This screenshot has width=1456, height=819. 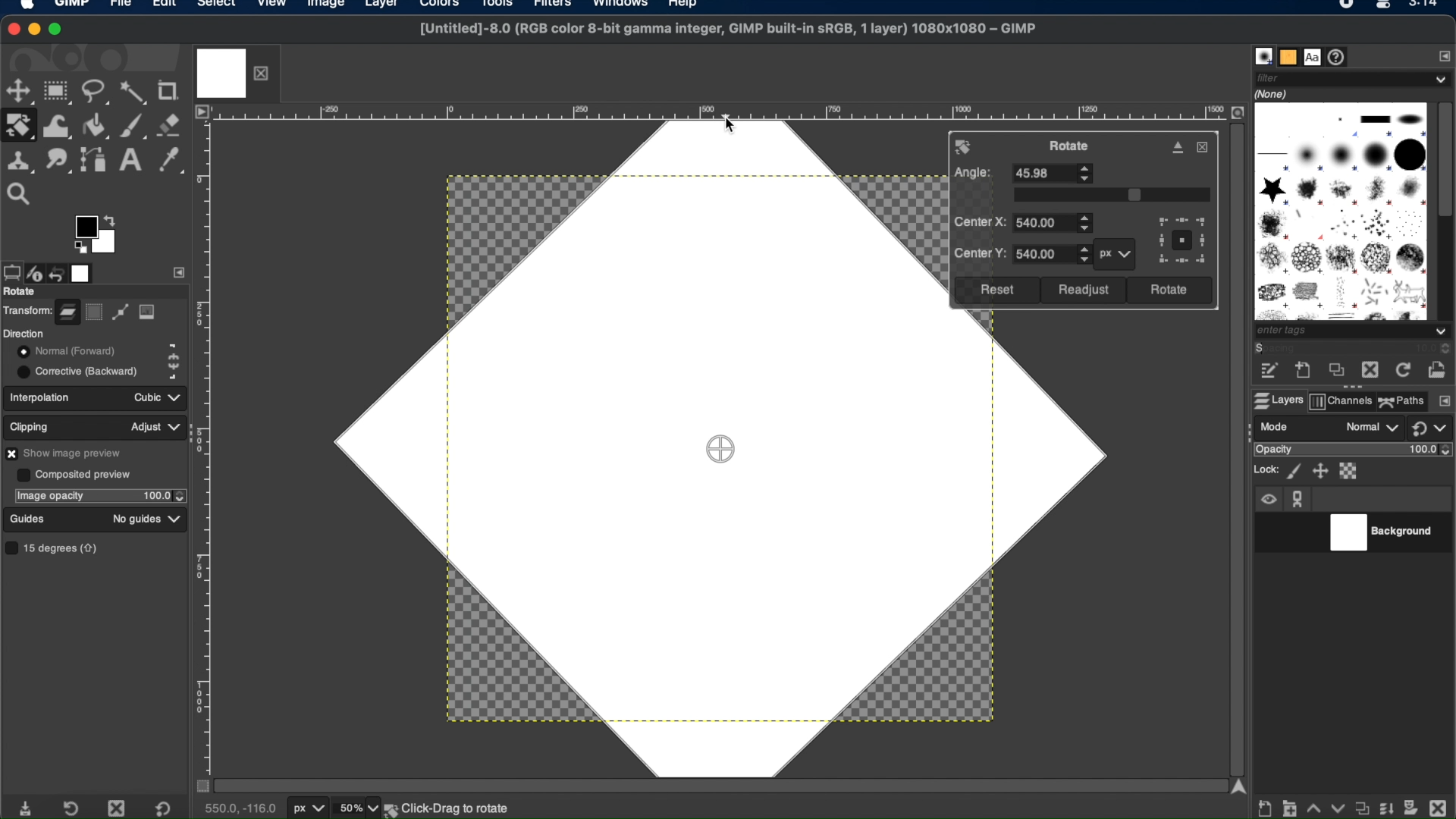 I want to click on filters, so click(x=557, y=8).